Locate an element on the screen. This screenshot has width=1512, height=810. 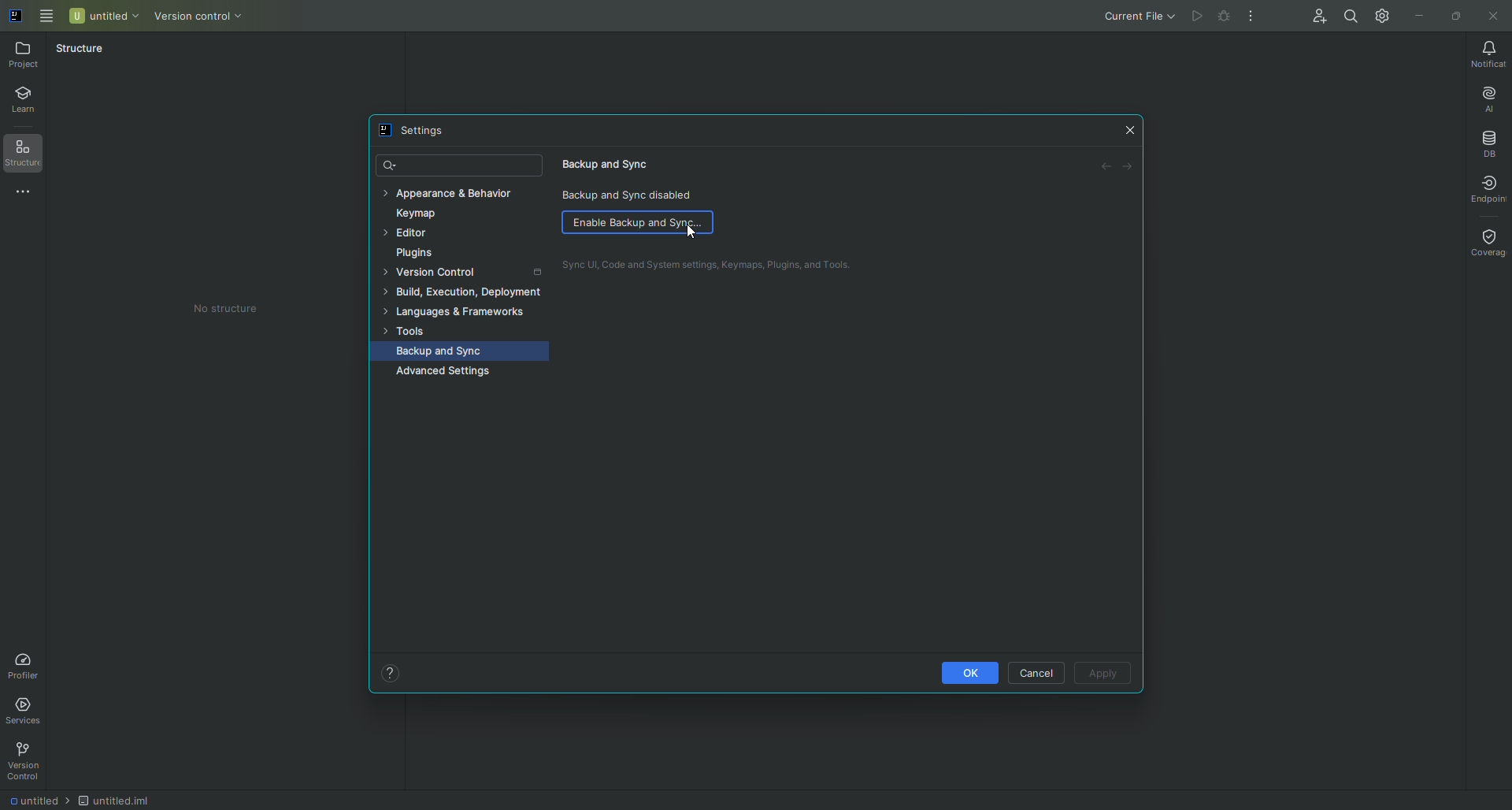
File type is located at coordinates (131, 798).